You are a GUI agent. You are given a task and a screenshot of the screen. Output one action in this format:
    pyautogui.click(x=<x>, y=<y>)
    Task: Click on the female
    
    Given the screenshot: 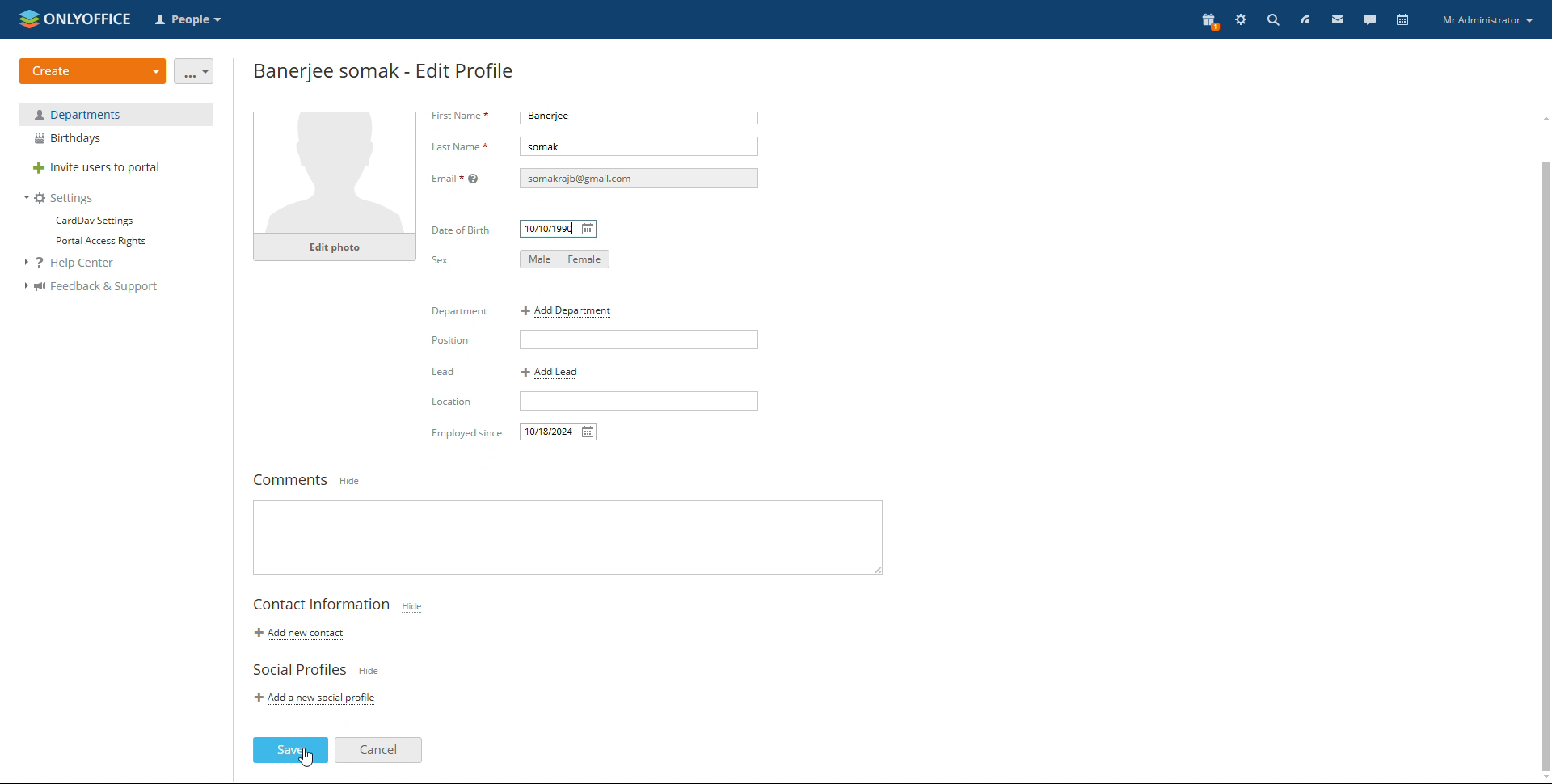 What is the action you would take?
    pyautogui.click(x=587, y=259)
    